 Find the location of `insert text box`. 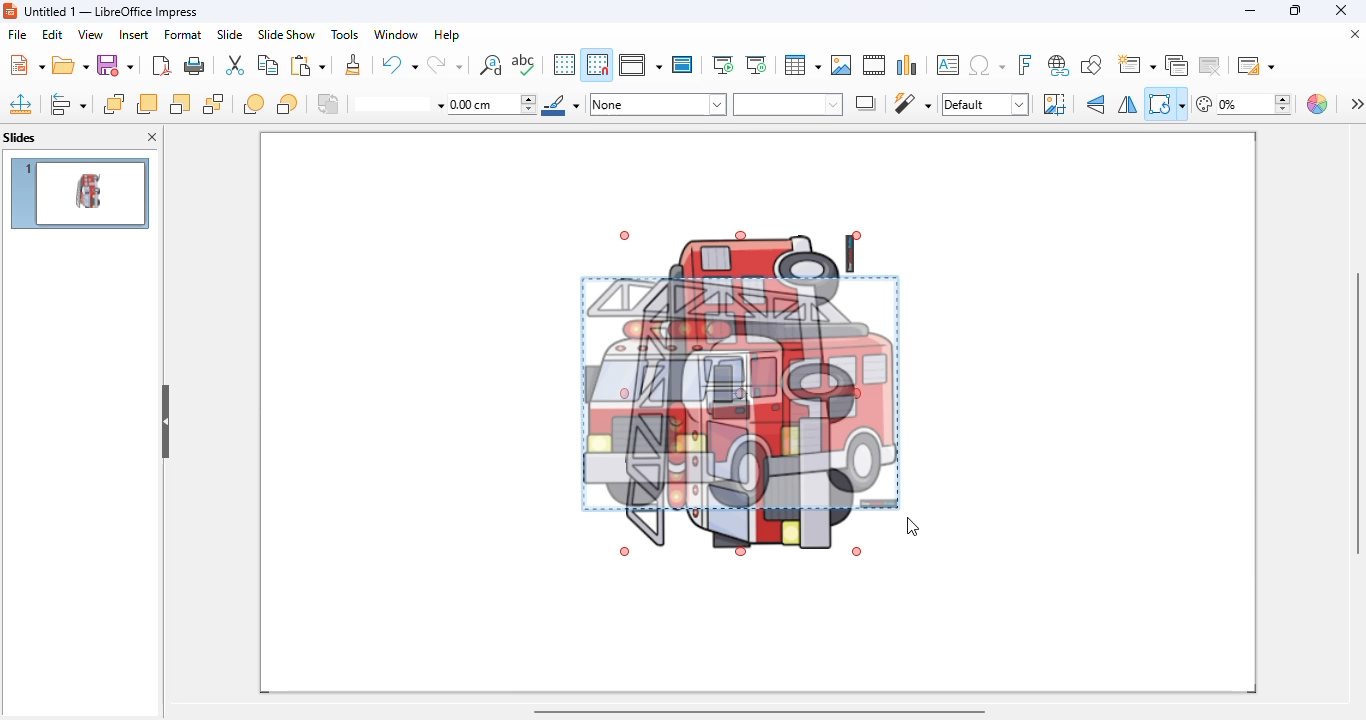

insert text box is located at coordinates (947, 65).